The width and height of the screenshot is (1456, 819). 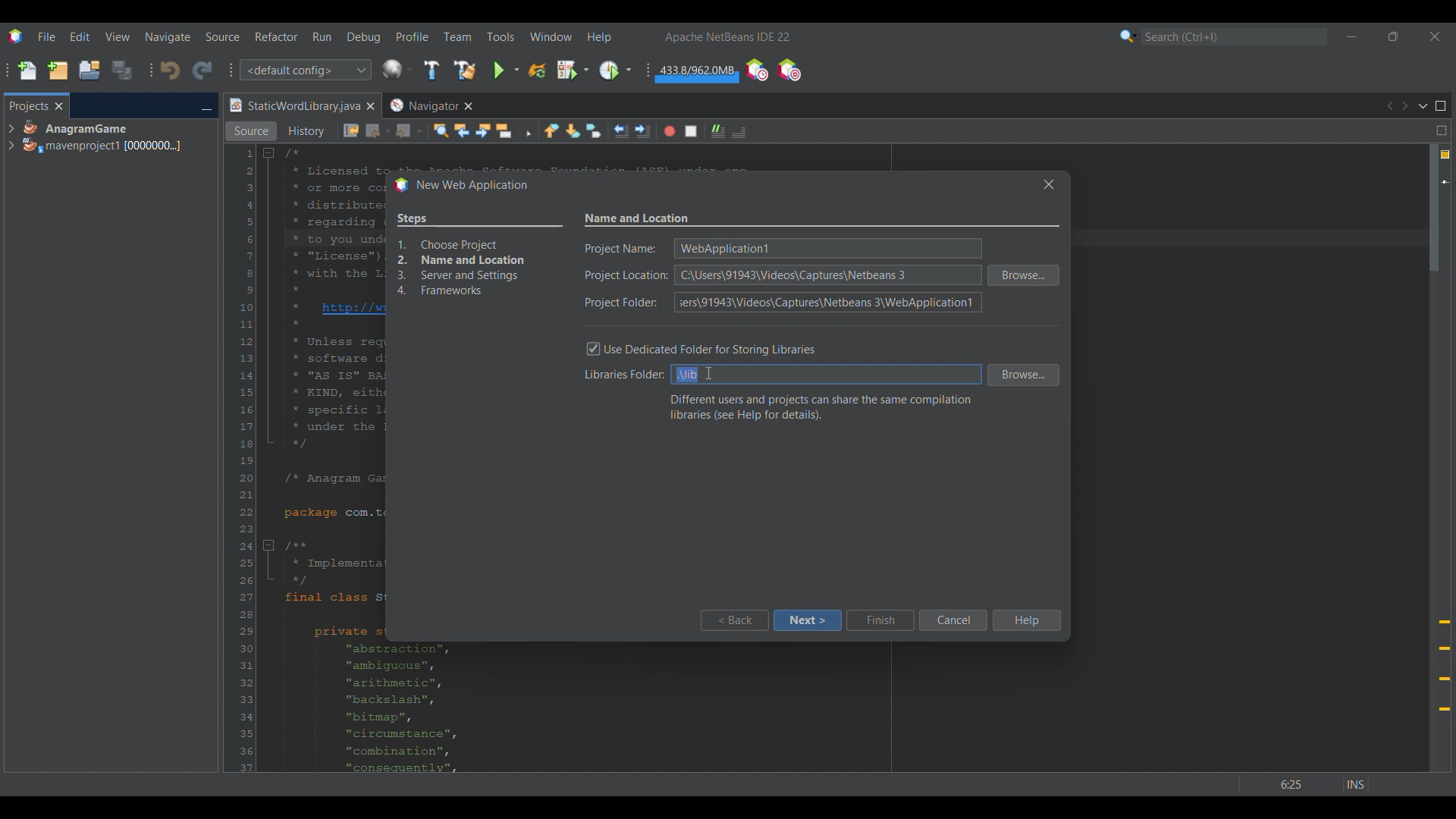 I want to click on Previous, so click(x=1389, y=106).